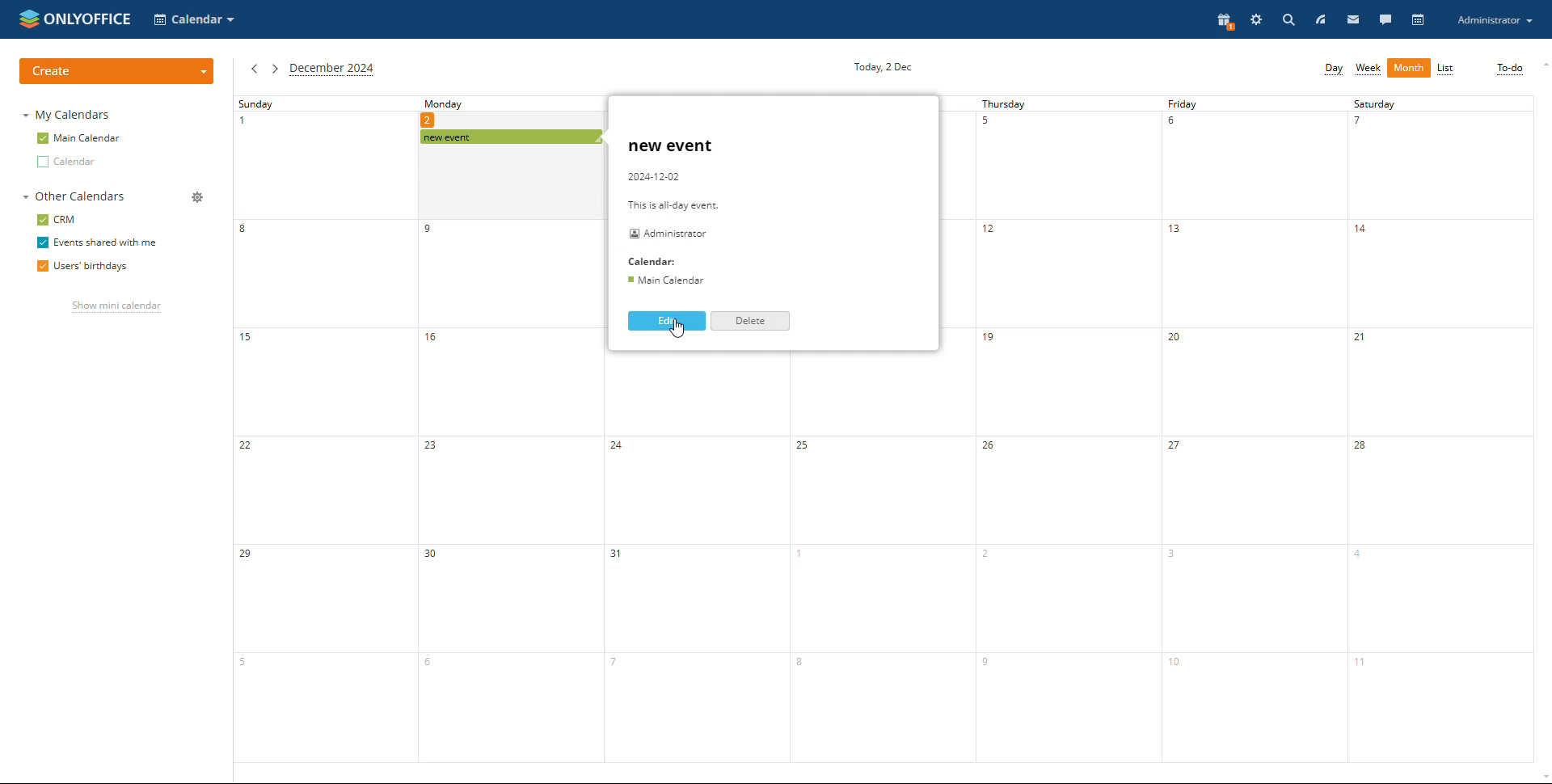 This screenshot has width=1552, height=784. I want to click on logo, so click(74, 19).